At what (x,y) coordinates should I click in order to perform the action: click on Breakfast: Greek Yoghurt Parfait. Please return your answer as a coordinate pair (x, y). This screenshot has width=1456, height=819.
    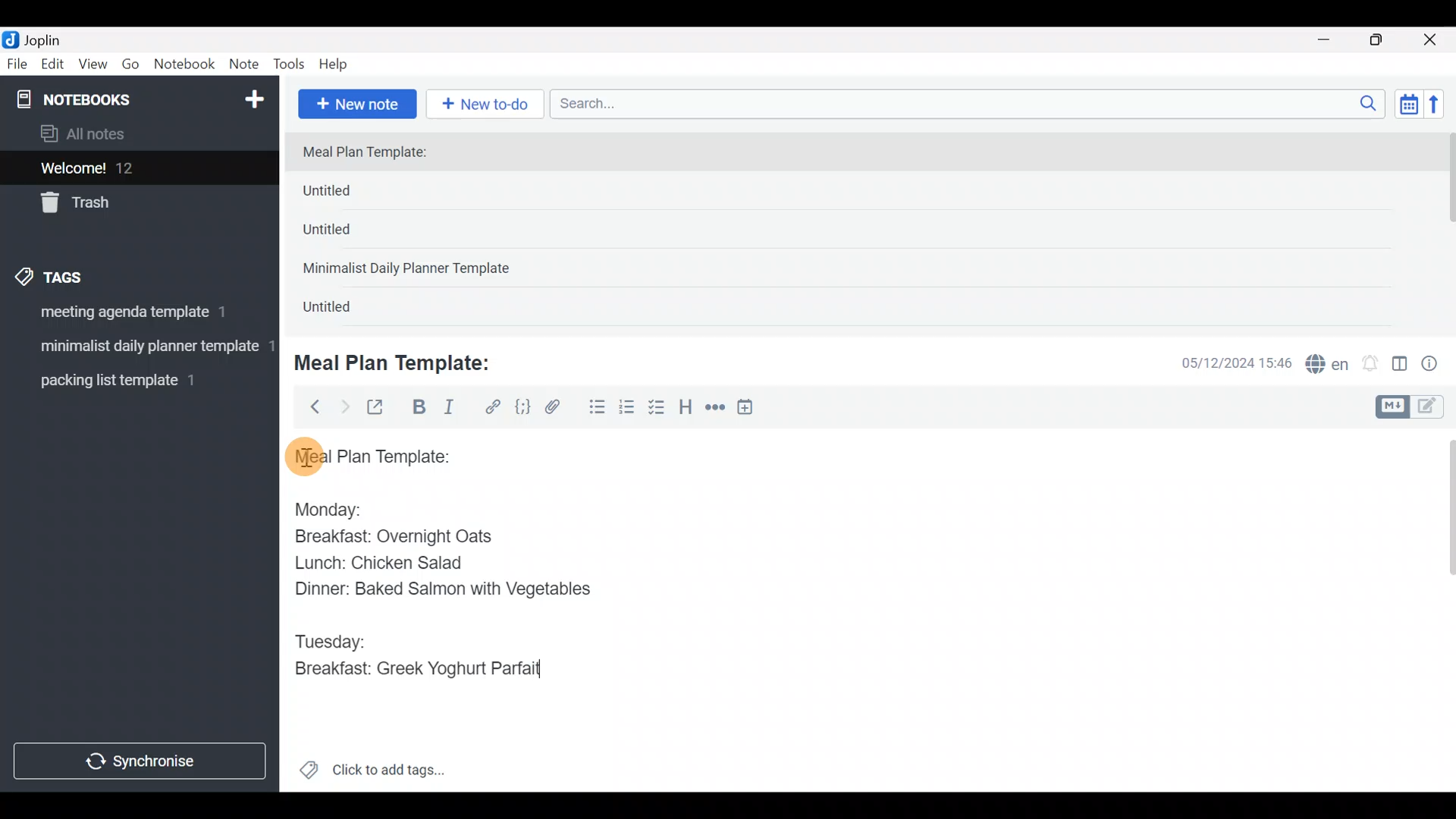
    Looking at the image, I should click on (421, 670).